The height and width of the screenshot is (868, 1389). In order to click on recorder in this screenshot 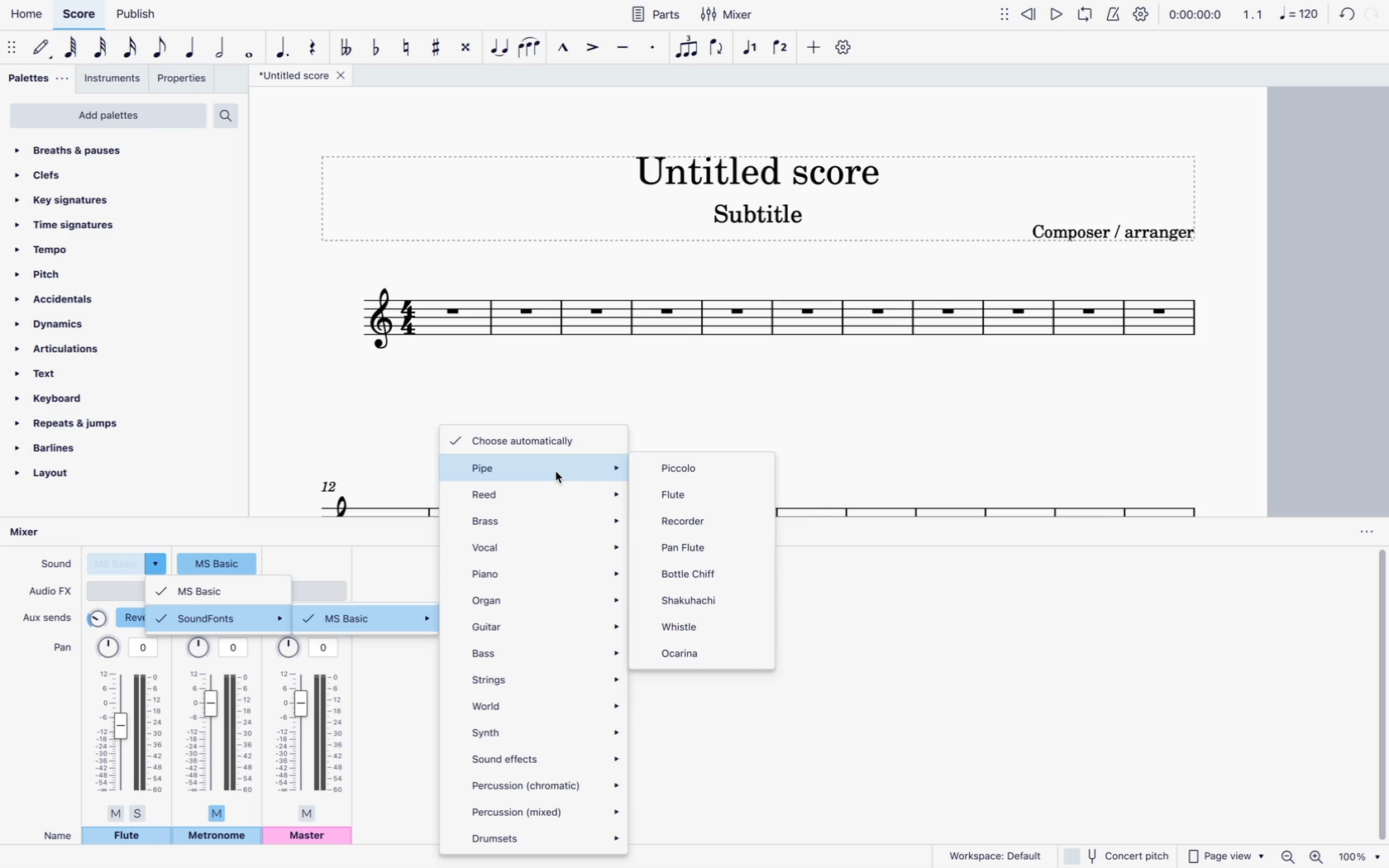, I will do `click(693, 519)`.